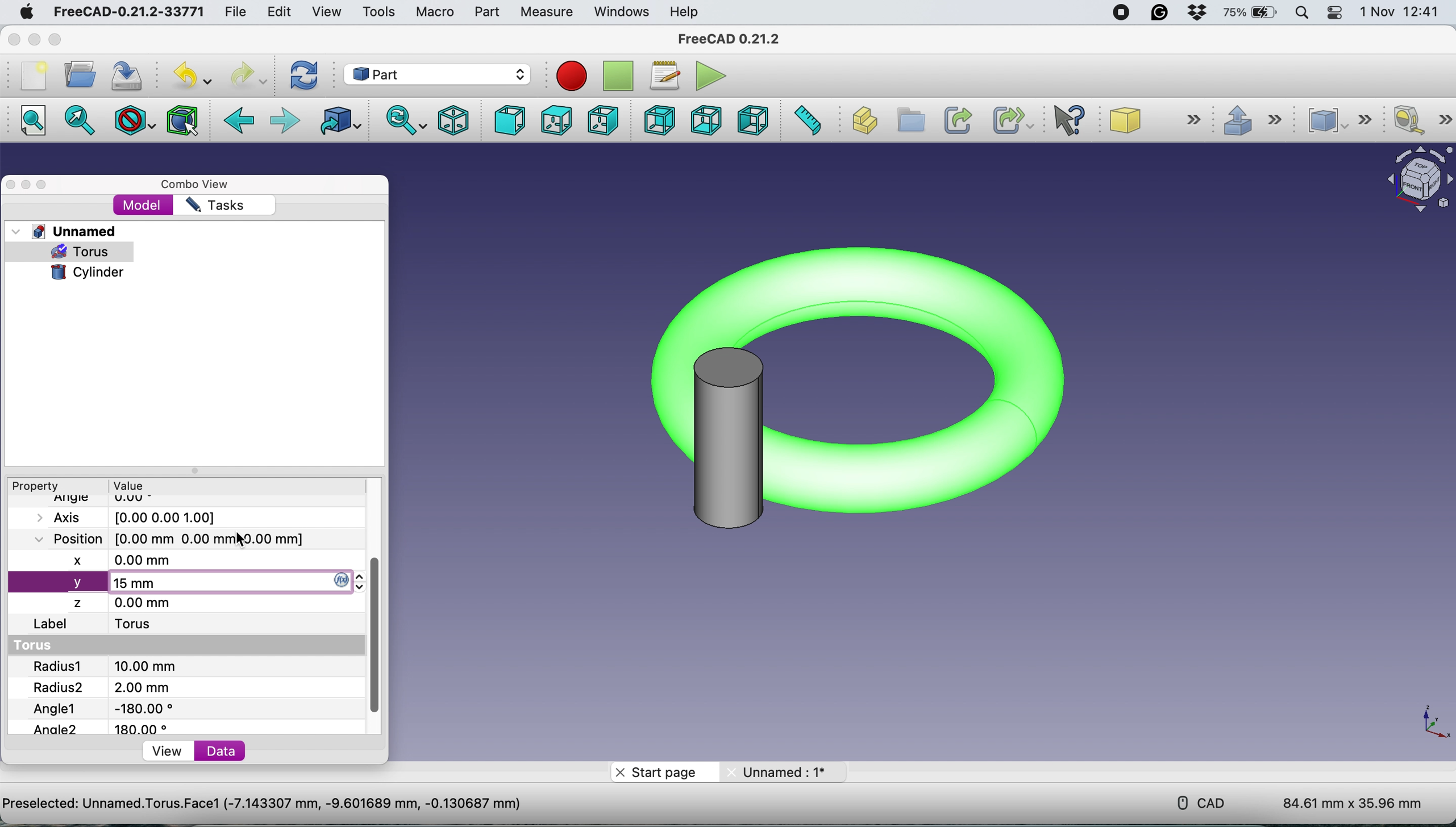 Image resolution: width=1456 pixels, height=827 pixels. Describe the element at coordinates (729, 39) in the screenshot. I see `freecad` at that location.